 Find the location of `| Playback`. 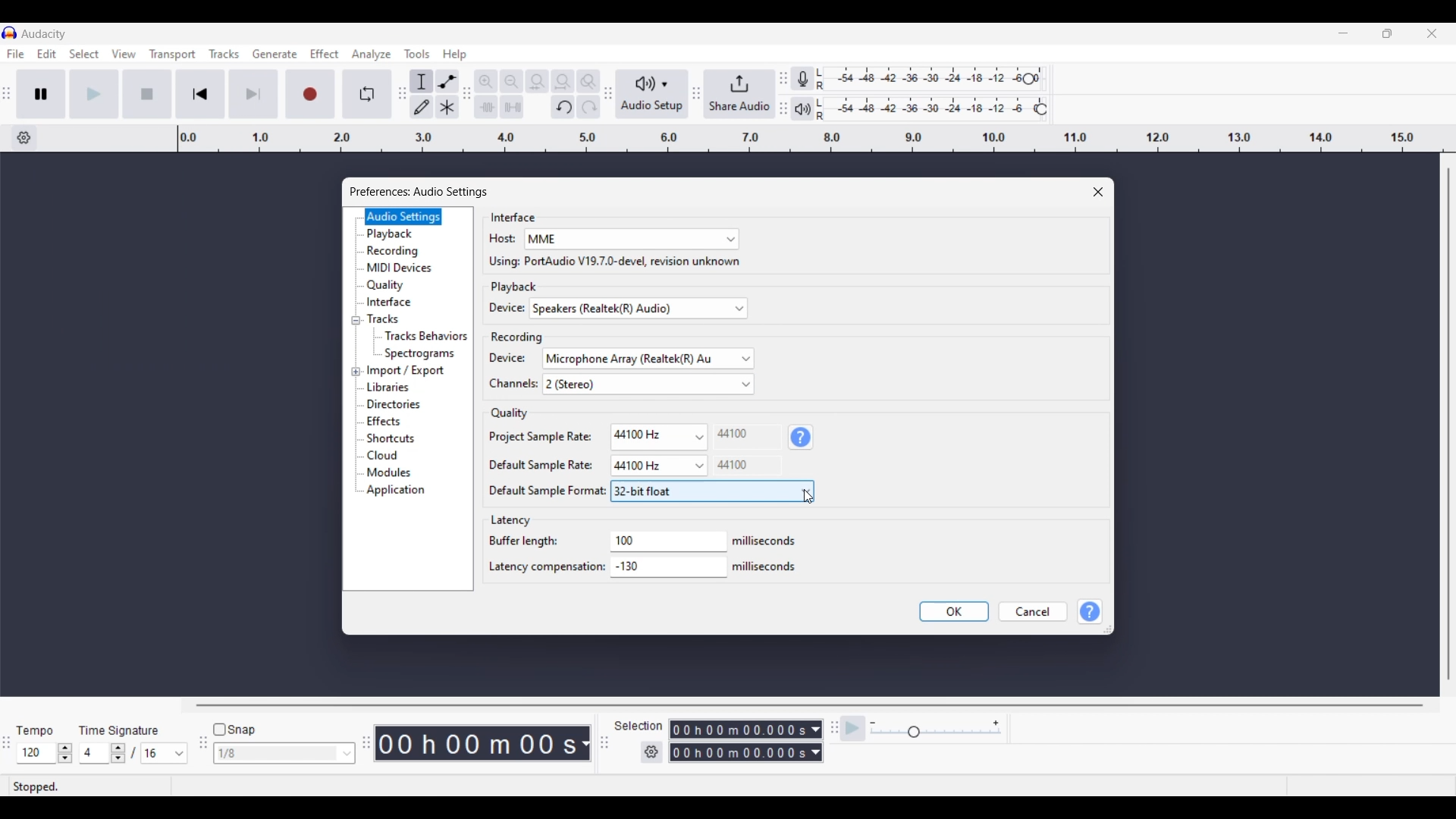

| Playback is located at coordinates (507, 287).